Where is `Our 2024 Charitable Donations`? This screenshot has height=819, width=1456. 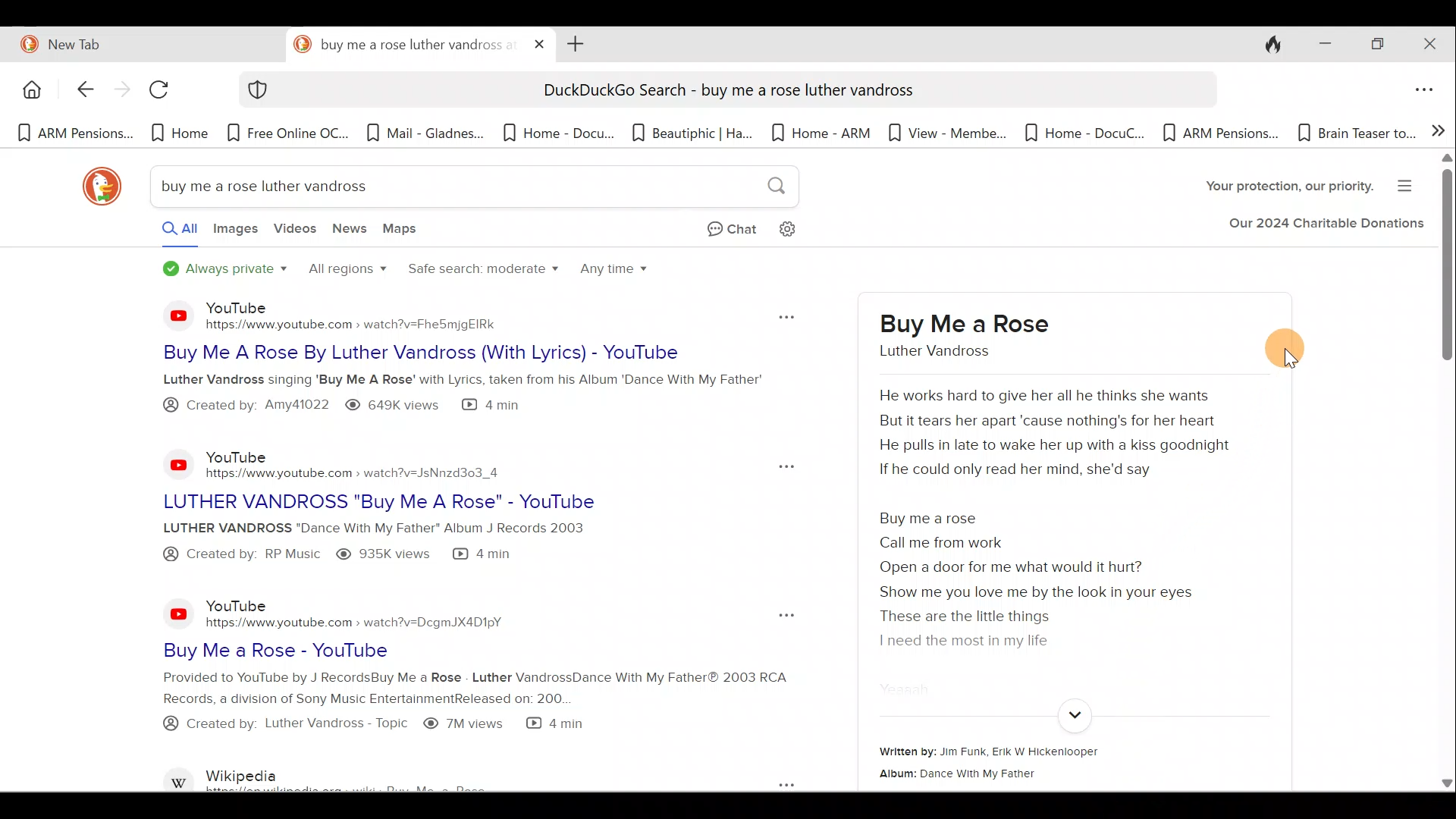
Our 2024 Charitable Donations is located at coordinates (1326, 227).